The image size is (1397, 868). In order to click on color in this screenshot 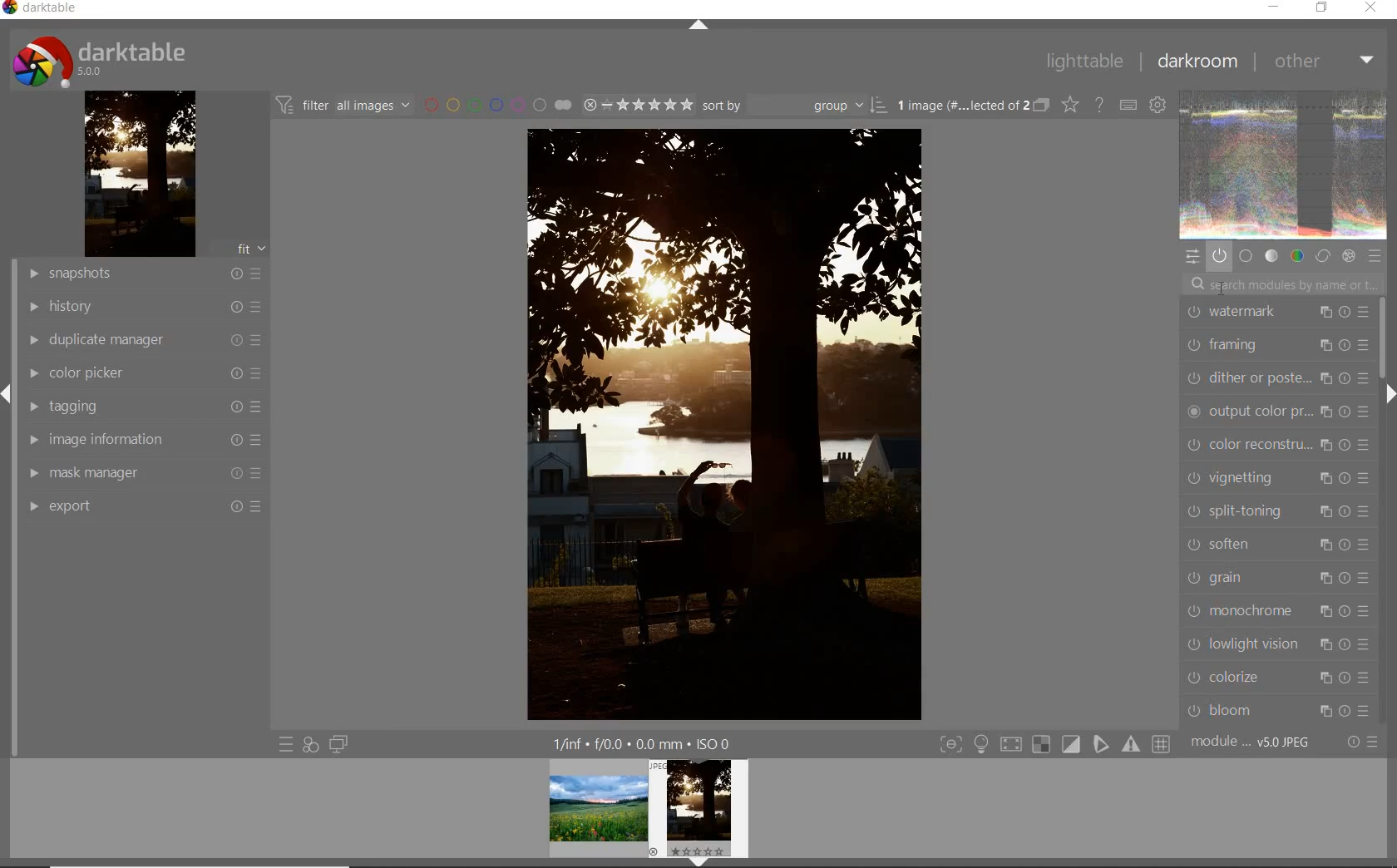, I will do `click(1298, 254)`.